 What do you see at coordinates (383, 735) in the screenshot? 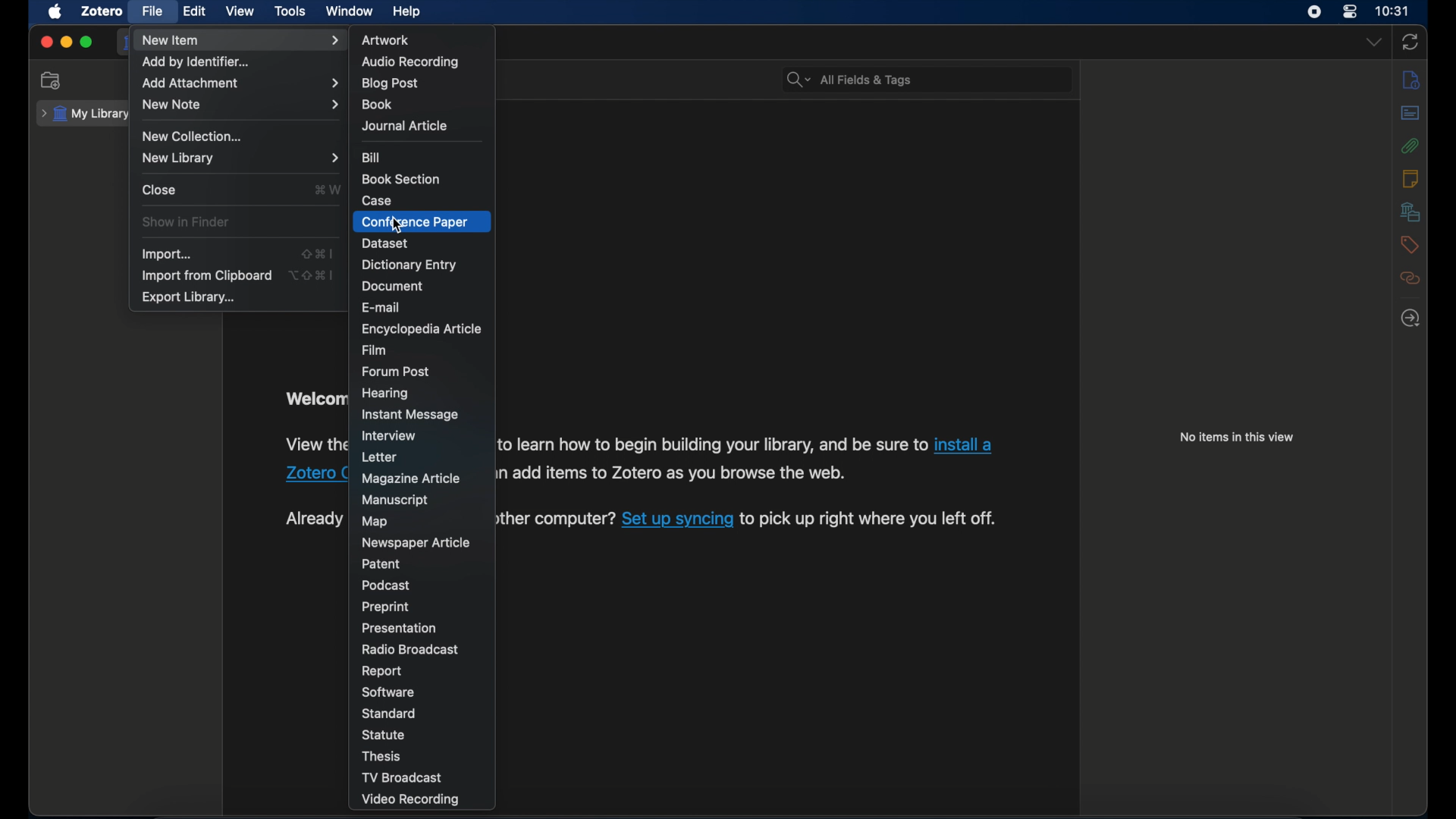
I see `statue` at bounding box center [383, 735].